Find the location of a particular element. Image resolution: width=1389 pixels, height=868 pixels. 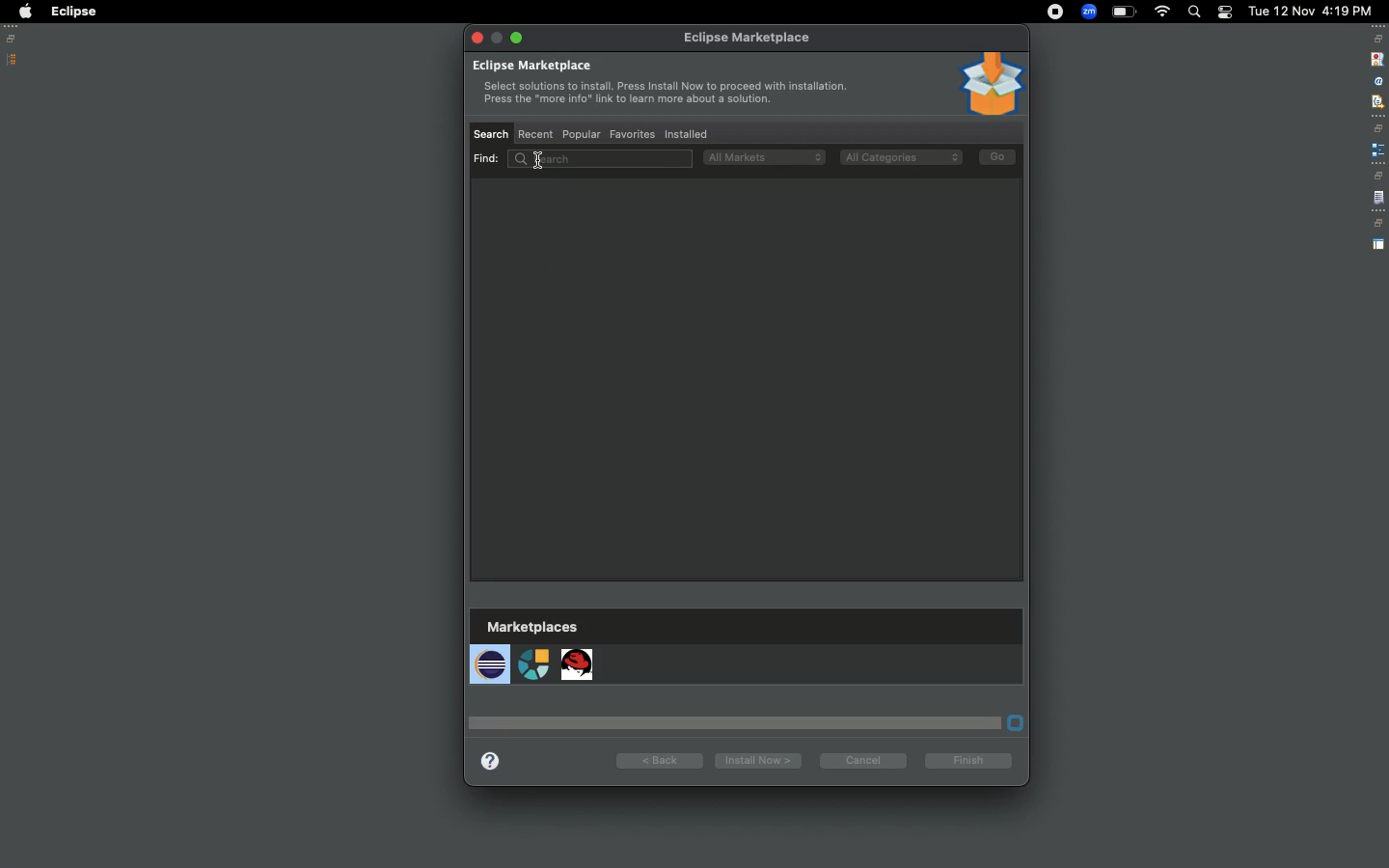

Zoom is located at coordinates (1088, 12).